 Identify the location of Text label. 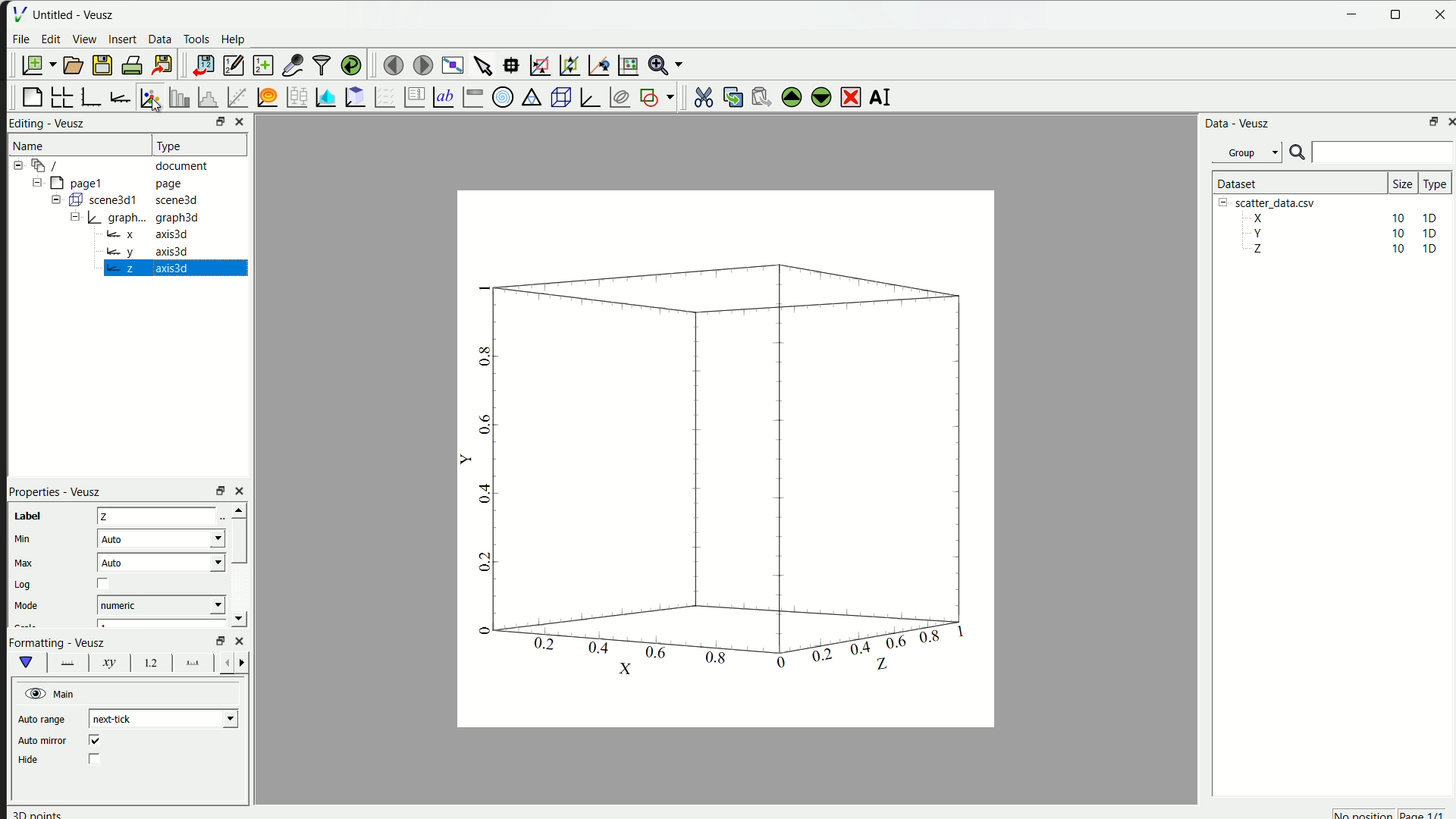
(442, 98).